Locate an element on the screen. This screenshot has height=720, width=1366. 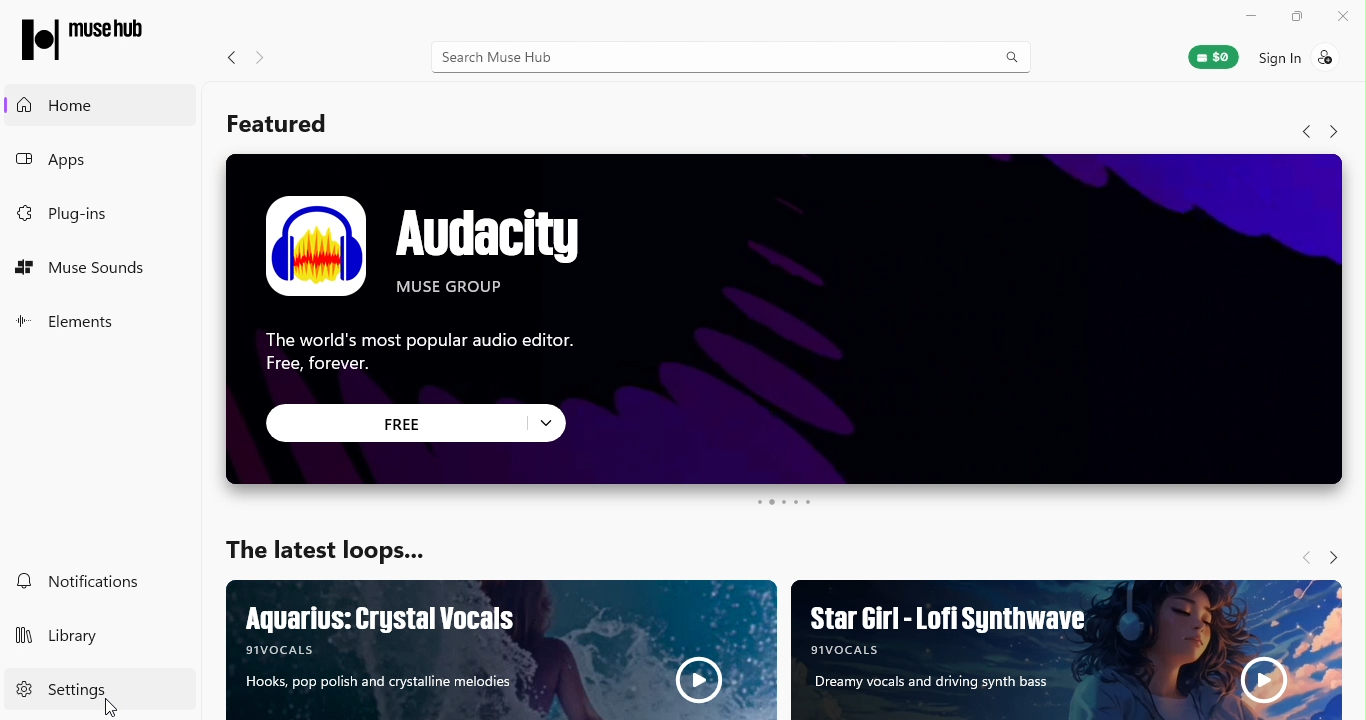
Navigate forward is located at coordinates (1336, 554).